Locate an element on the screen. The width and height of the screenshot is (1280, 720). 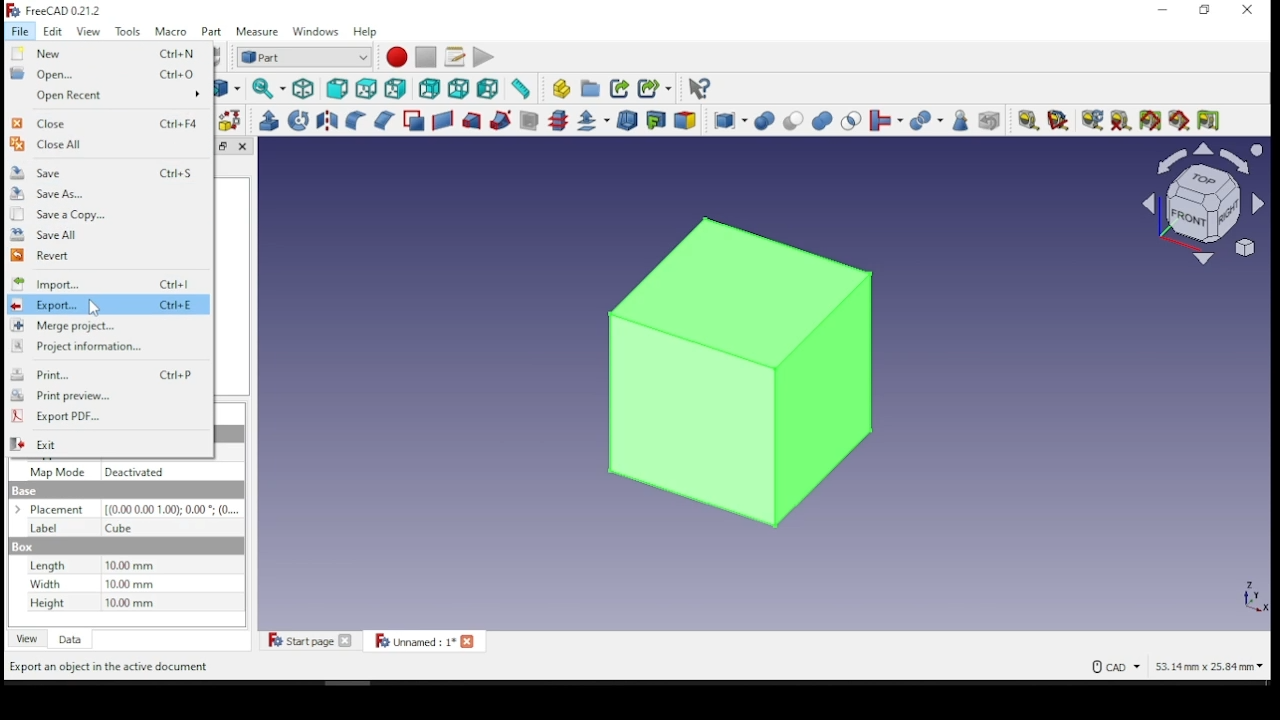
Base is located at coordinates (25, 491).